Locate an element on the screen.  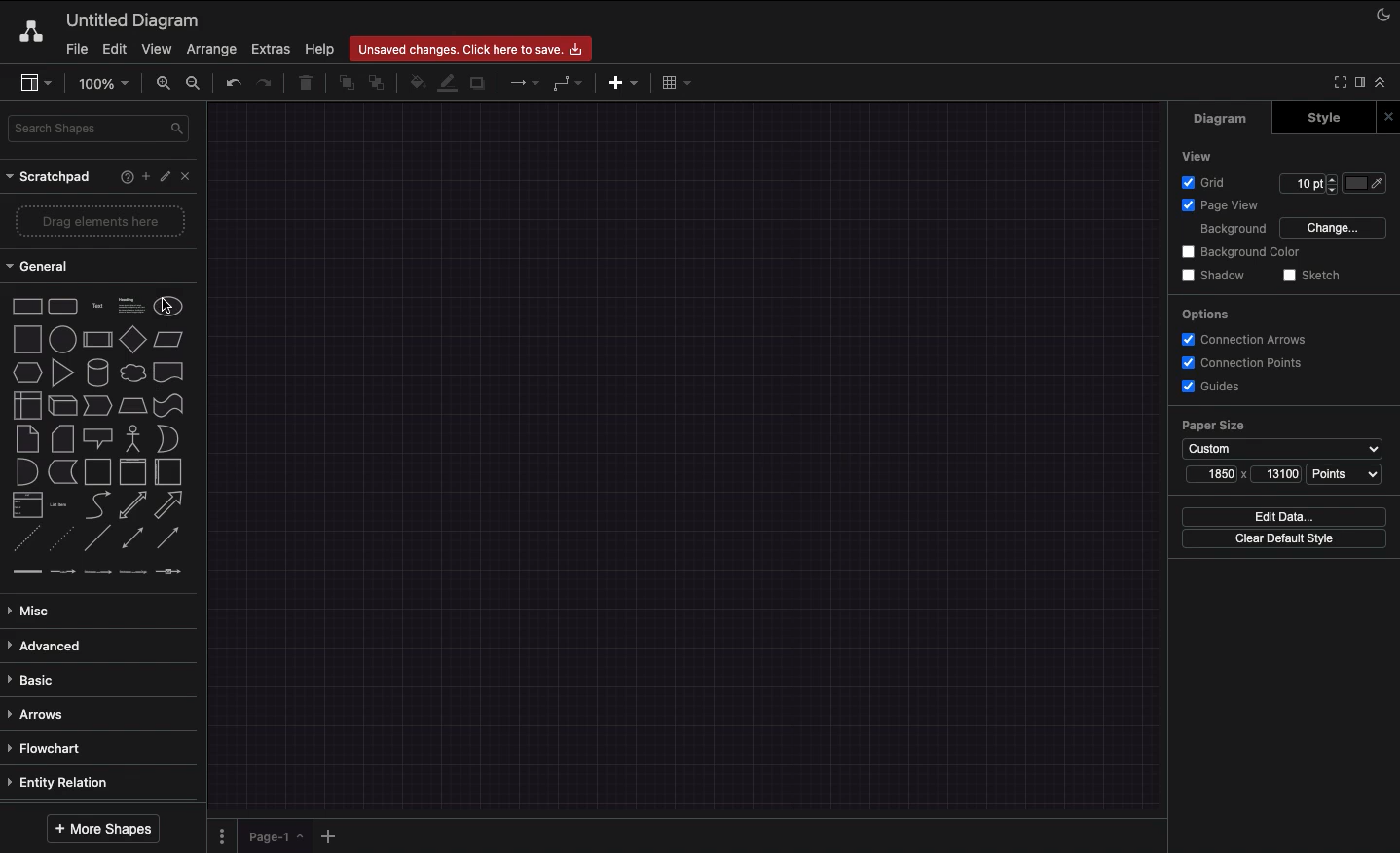
Format is located at coordinates (1361, 85).